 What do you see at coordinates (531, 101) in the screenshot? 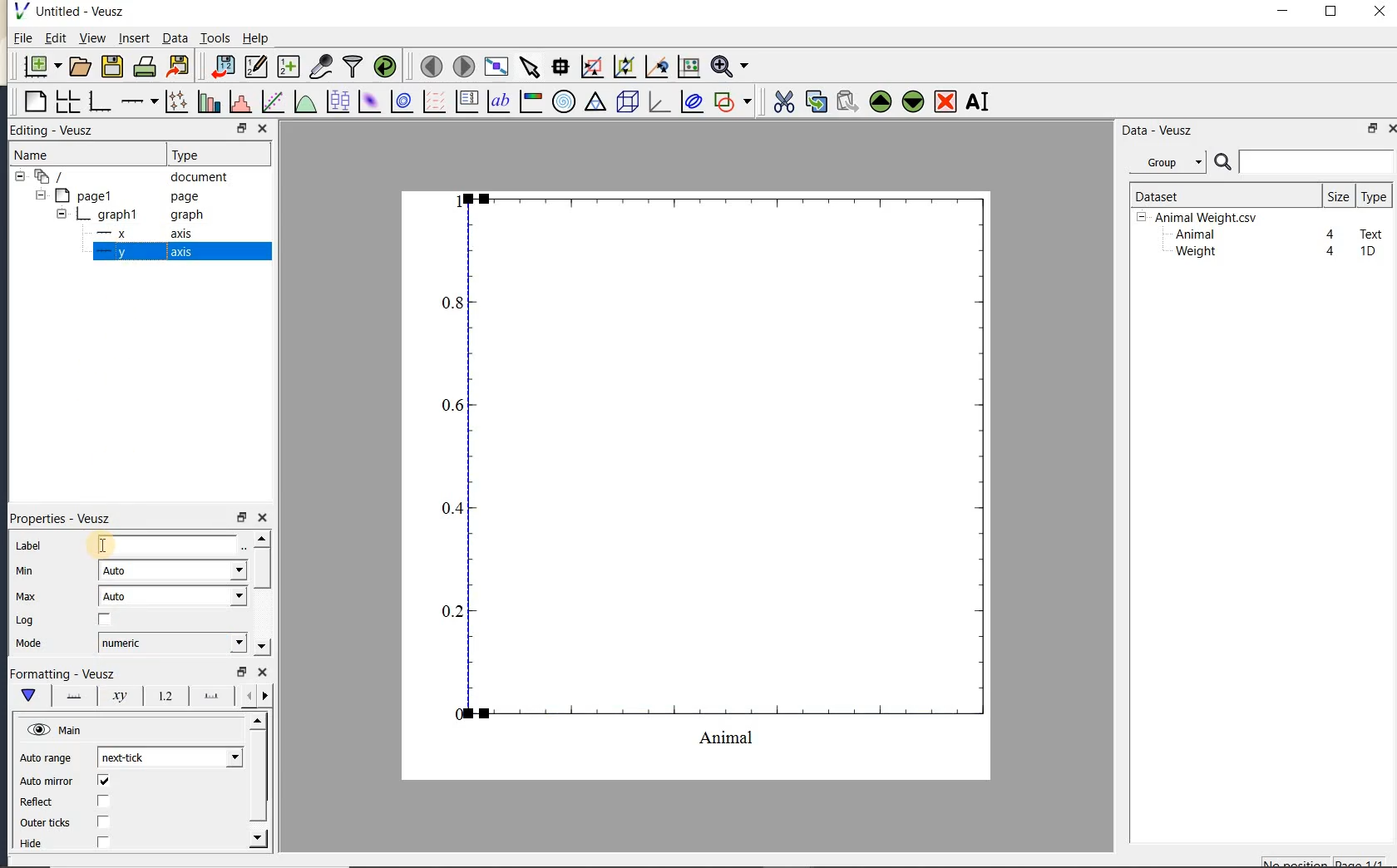
I see `image color bar` at bounding box center [531, 101].